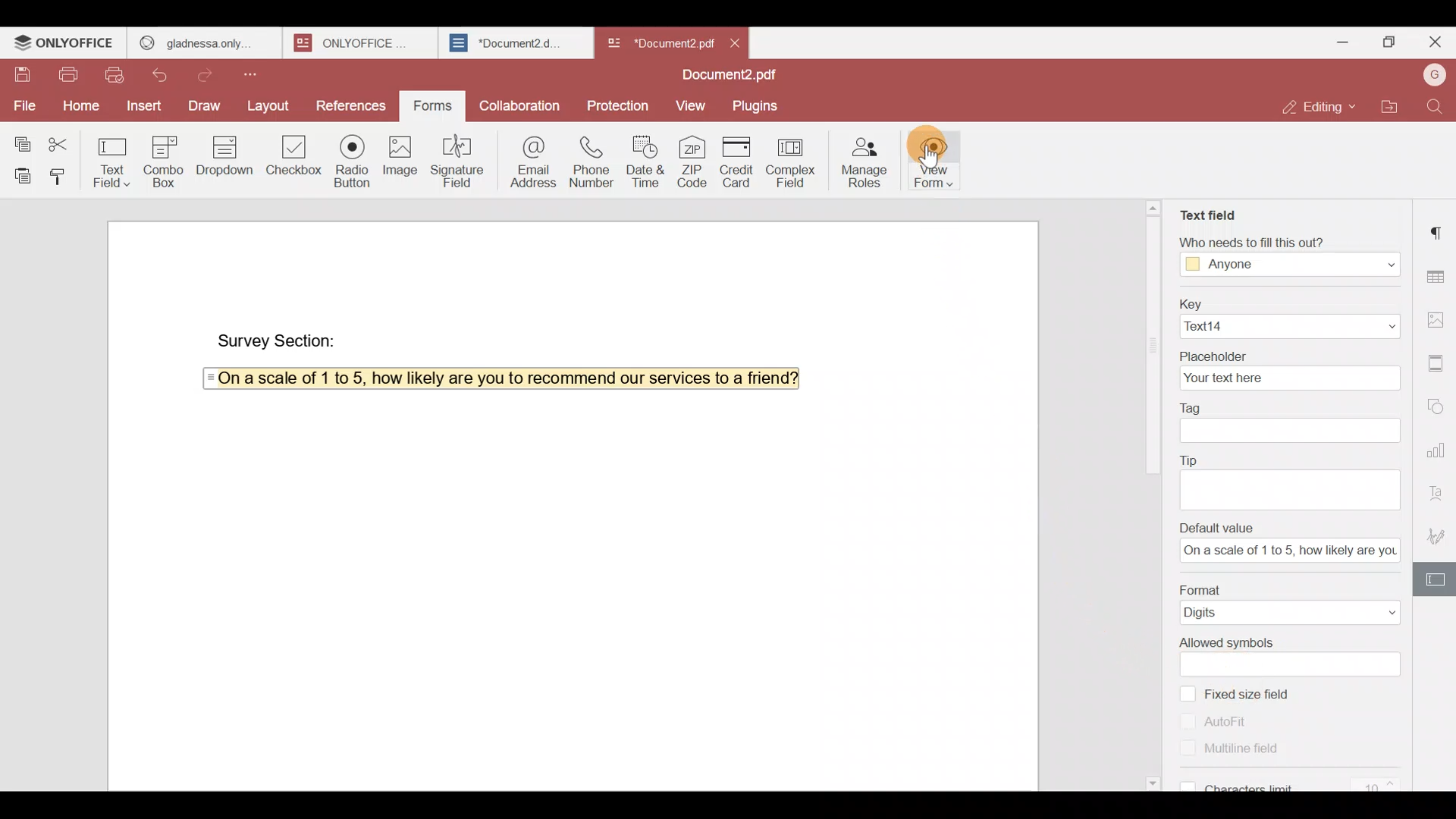 This screenshot has height=819, width=1456. What do you see at coordinates (1285, 377) in the screenshot?
I see `your text here` at bounding box center [1285, 377].